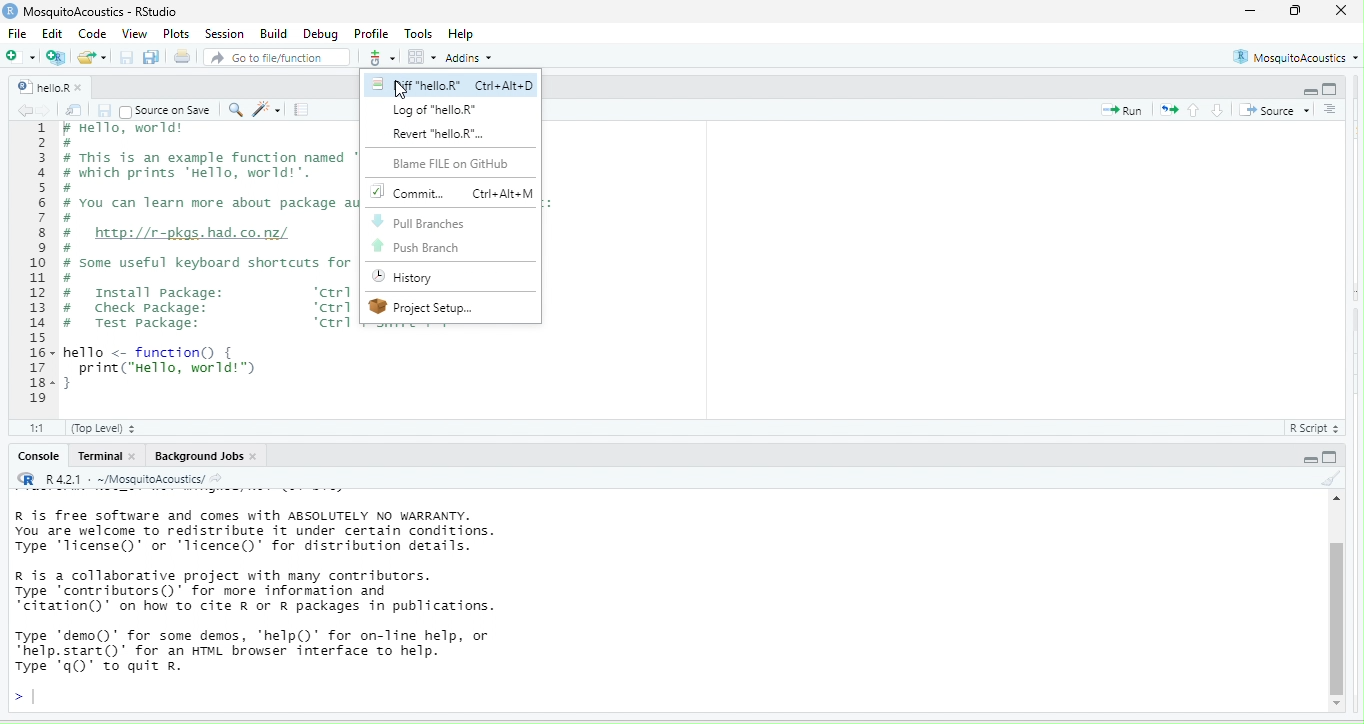  Describe the element at coordinates (99, 457) in the screenshot. I see ` Terminal` at that location.